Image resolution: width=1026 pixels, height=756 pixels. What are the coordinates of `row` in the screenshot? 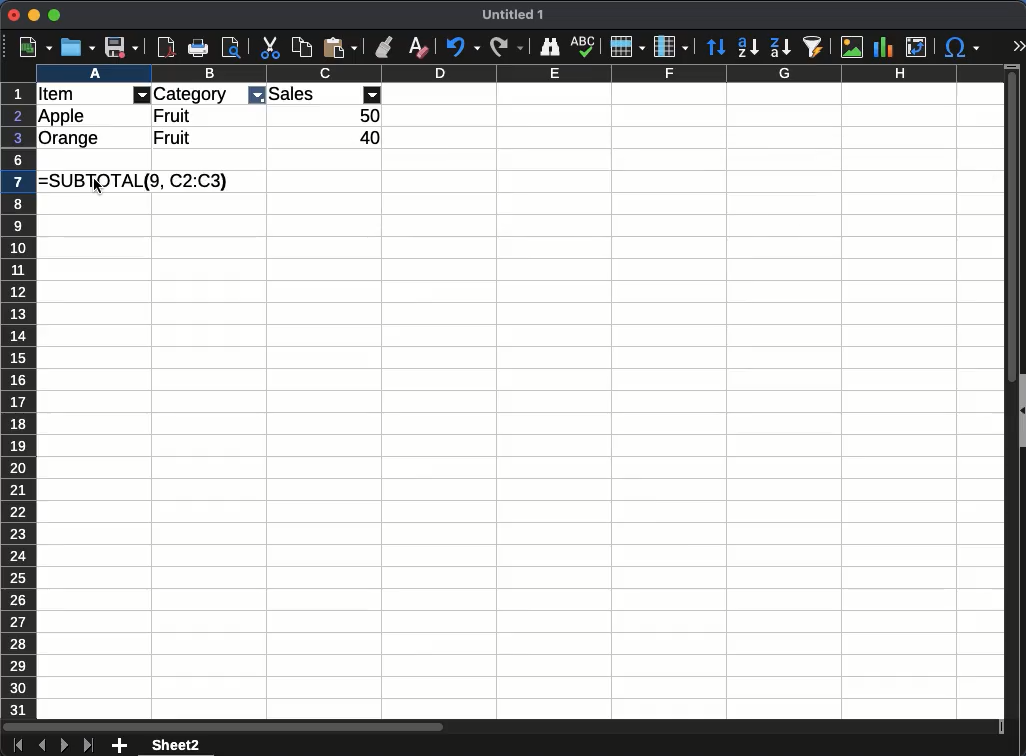 It's located at (625, 49).